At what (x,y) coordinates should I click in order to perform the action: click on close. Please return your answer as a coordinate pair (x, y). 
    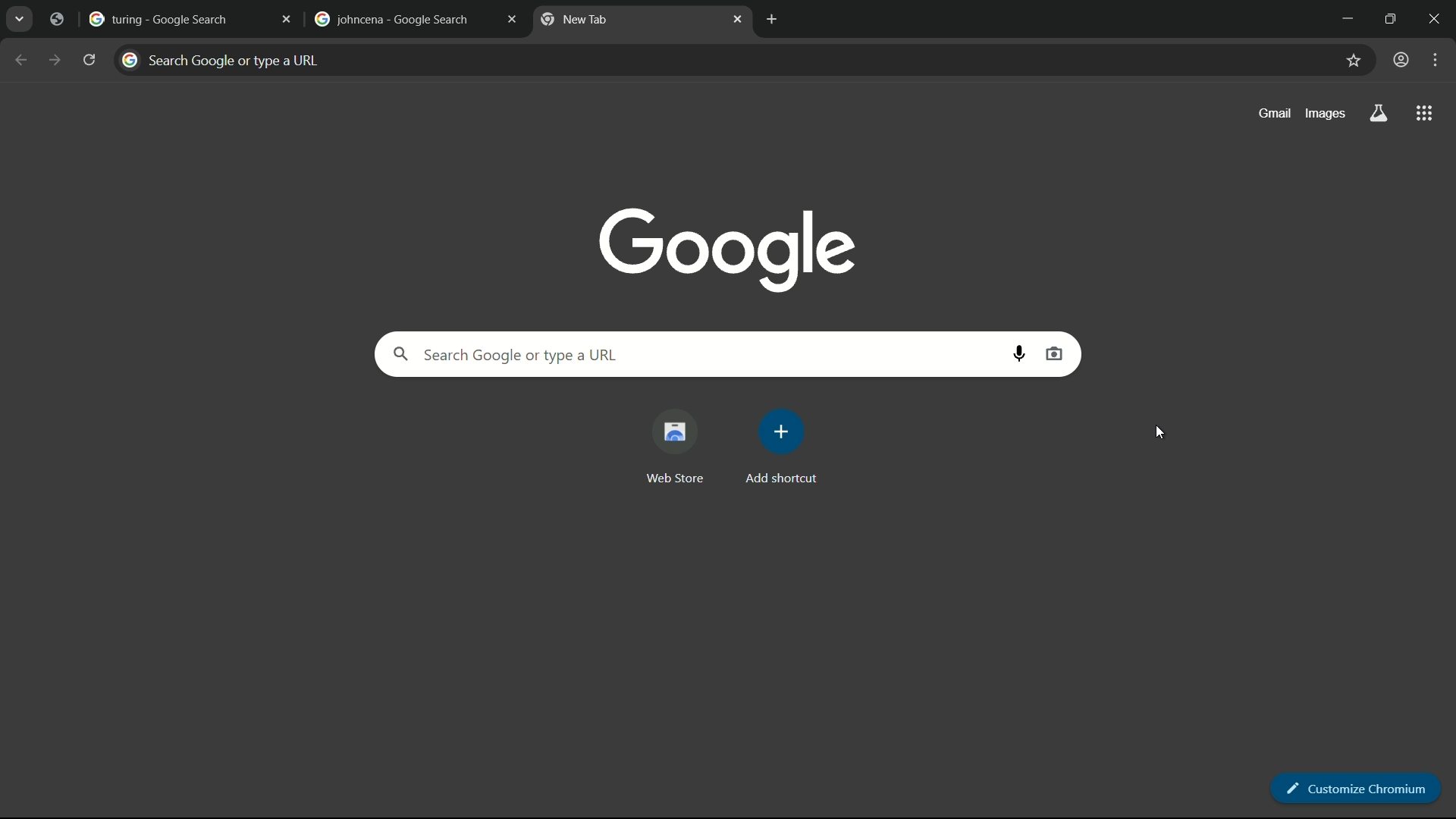
    Looking at the image, I should click on (287, 17).